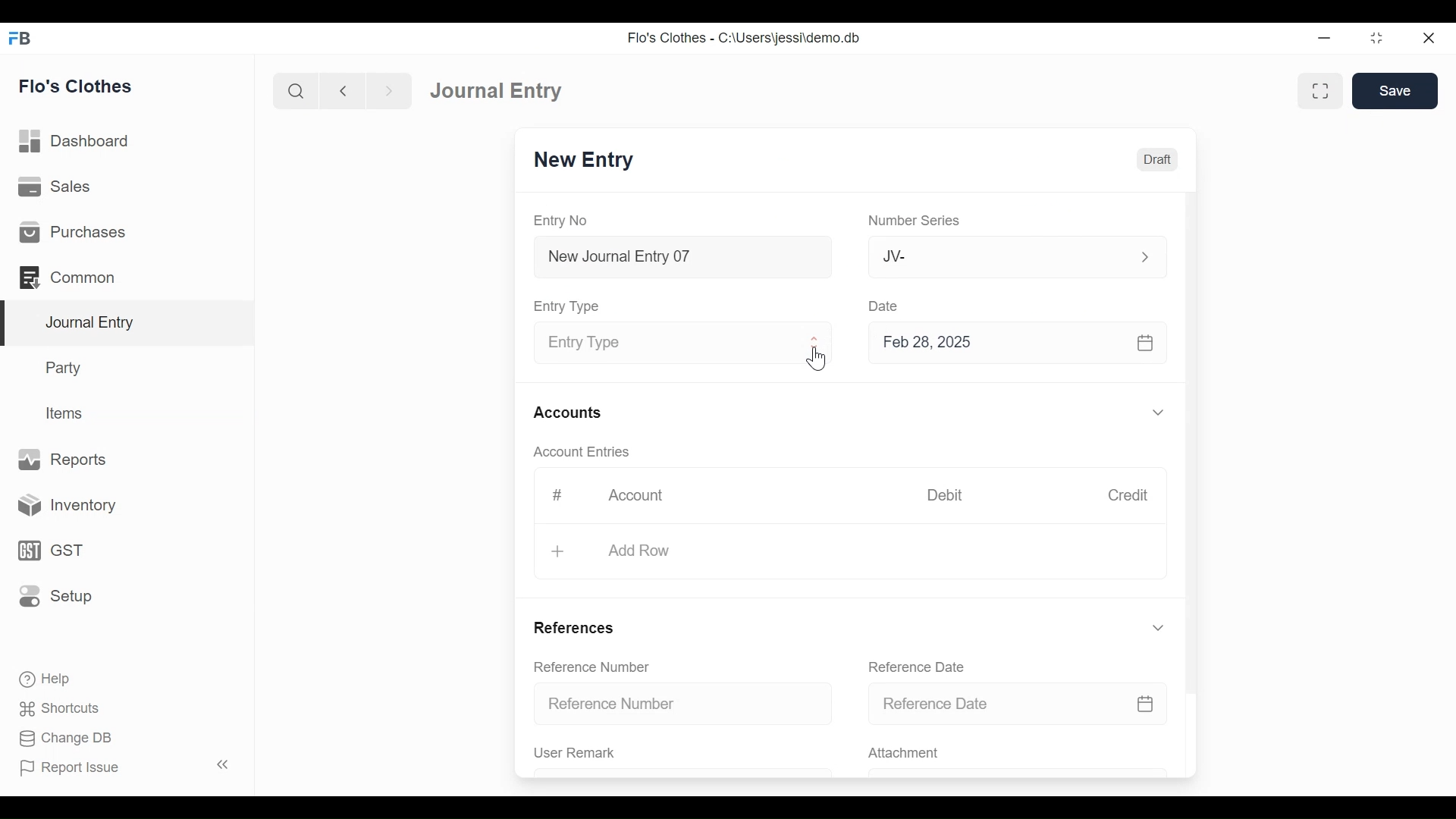 The width and height of the screenshot is (1456, 819). I want to click on Save, so click(1395, 90).